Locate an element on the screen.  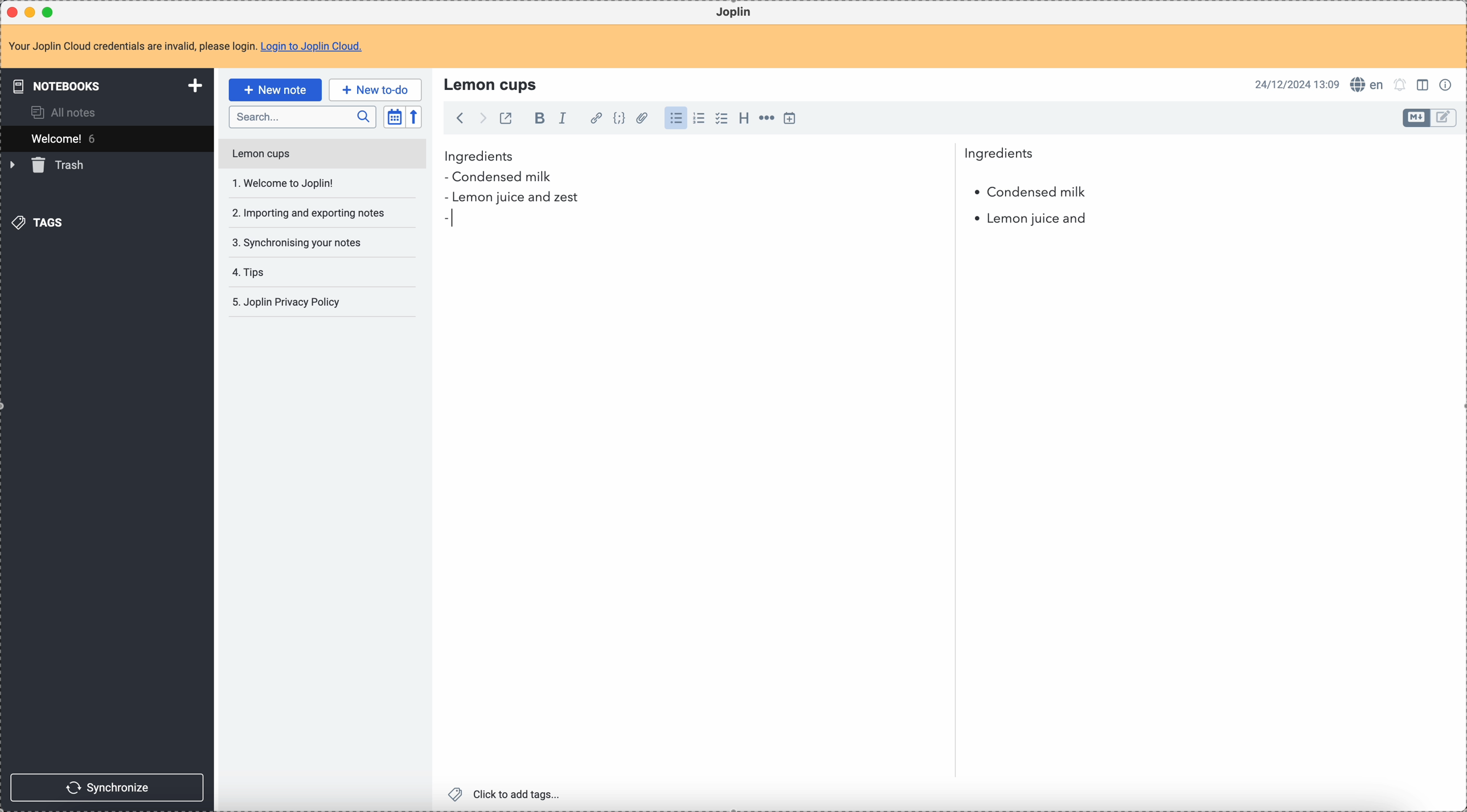
attach file is located at coordinates (640, 119).